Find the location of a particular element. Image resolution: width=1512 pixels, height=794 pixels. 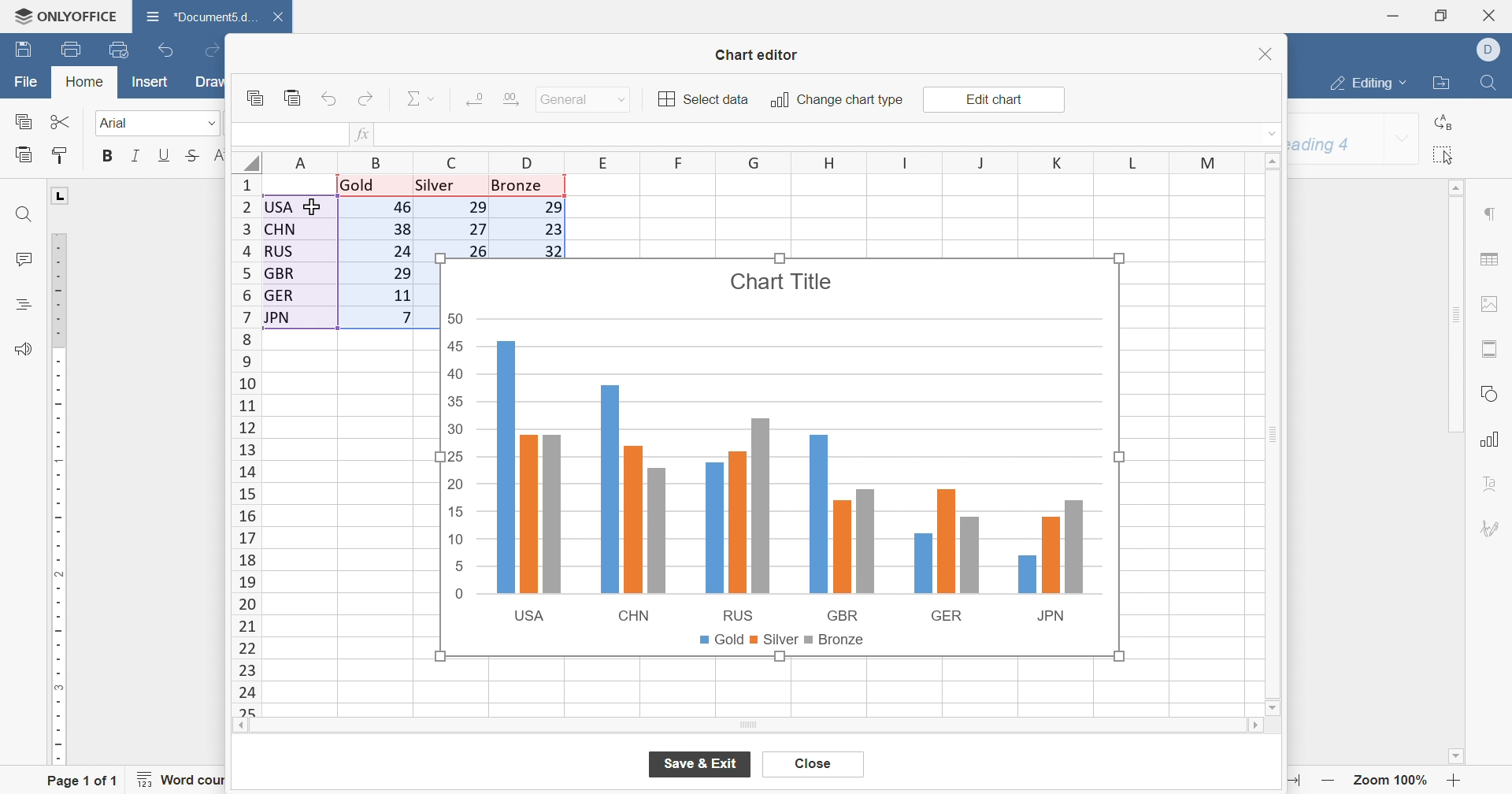

fx is located at coordinates (362, 135).